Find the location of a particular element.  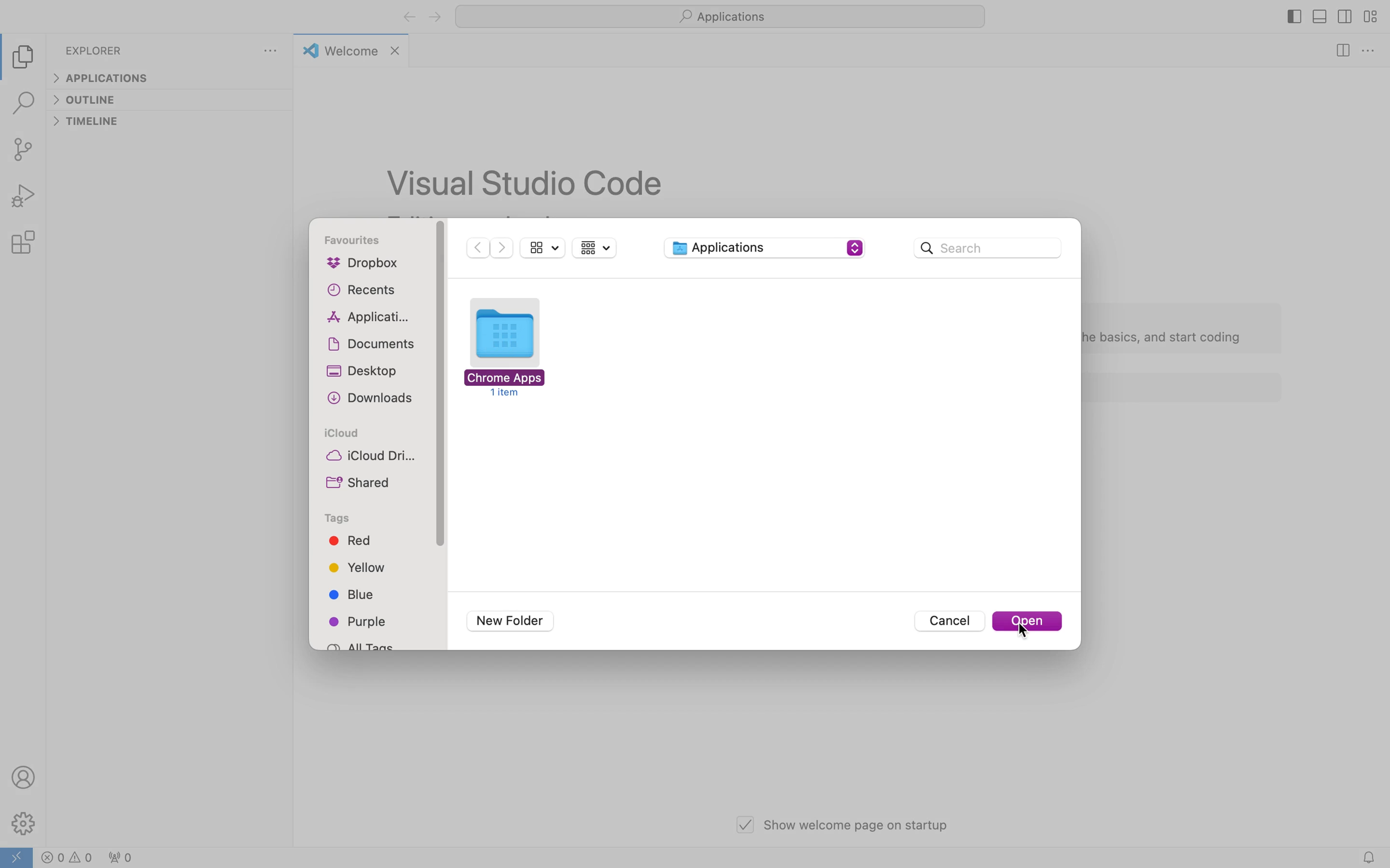

open is located at coordinates (1028, 622).